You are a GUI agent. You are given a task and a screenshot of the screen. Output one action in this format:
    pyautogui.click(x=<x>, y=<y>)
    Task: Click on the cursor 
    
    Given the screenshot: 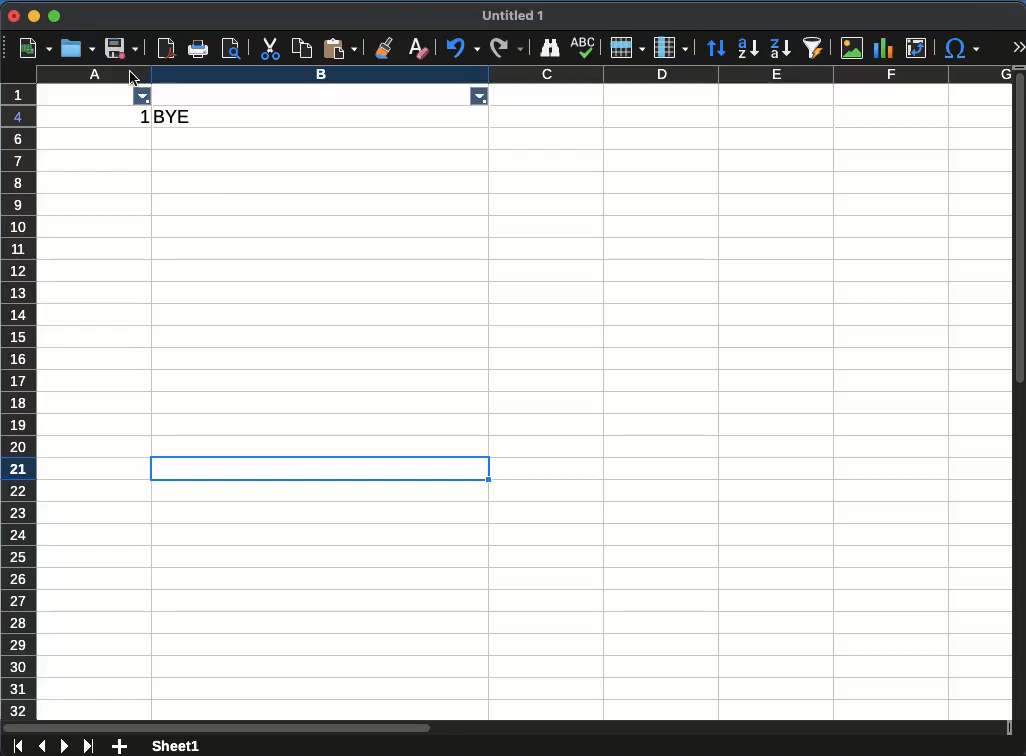 What is the action you would take?
    pyautogui.click(x=128, y=78)
    